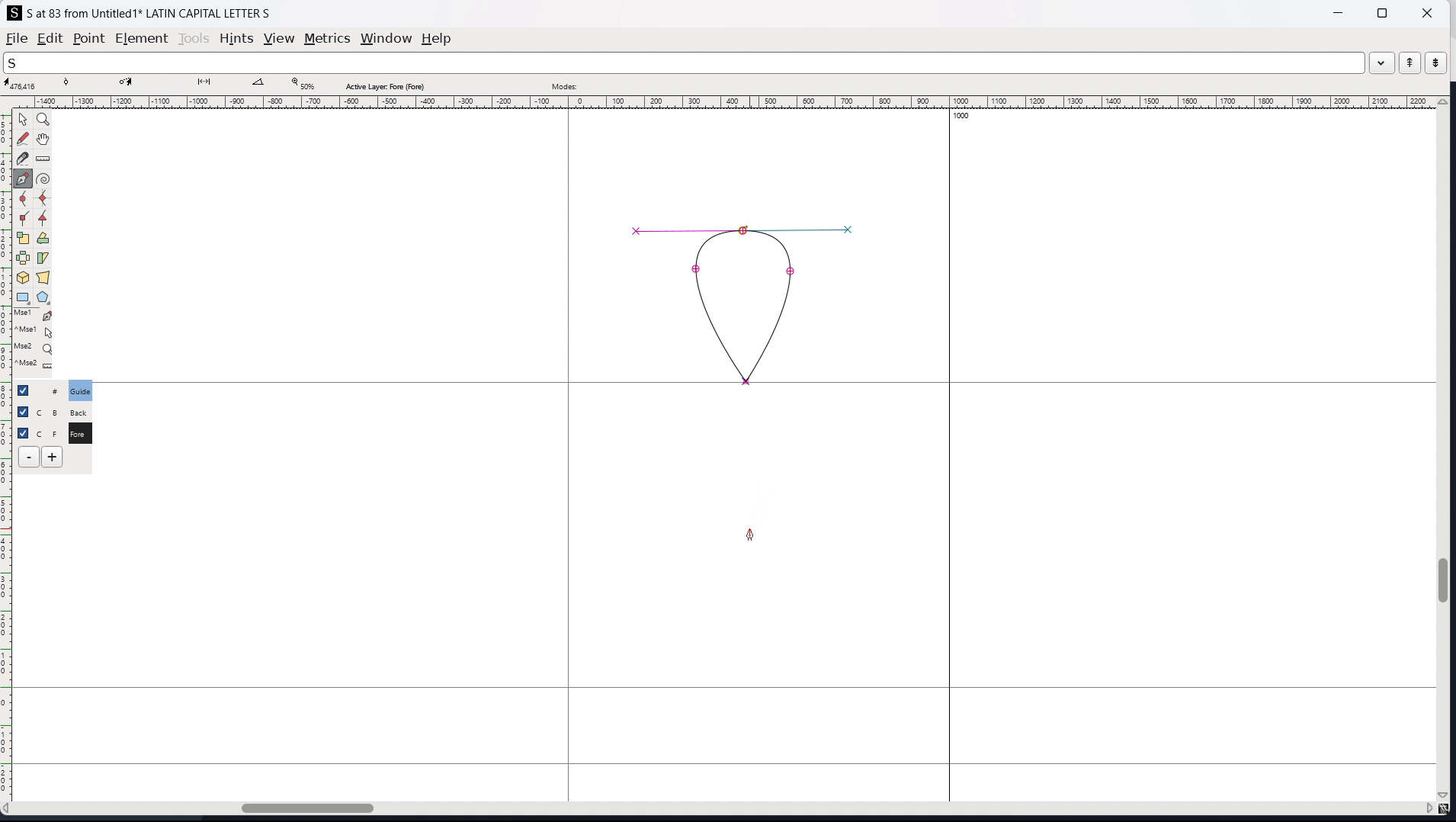  What do you see at coordinates (24, 199) in the screenshot?
I see `add a curve point` at bounding box center [24, 199].